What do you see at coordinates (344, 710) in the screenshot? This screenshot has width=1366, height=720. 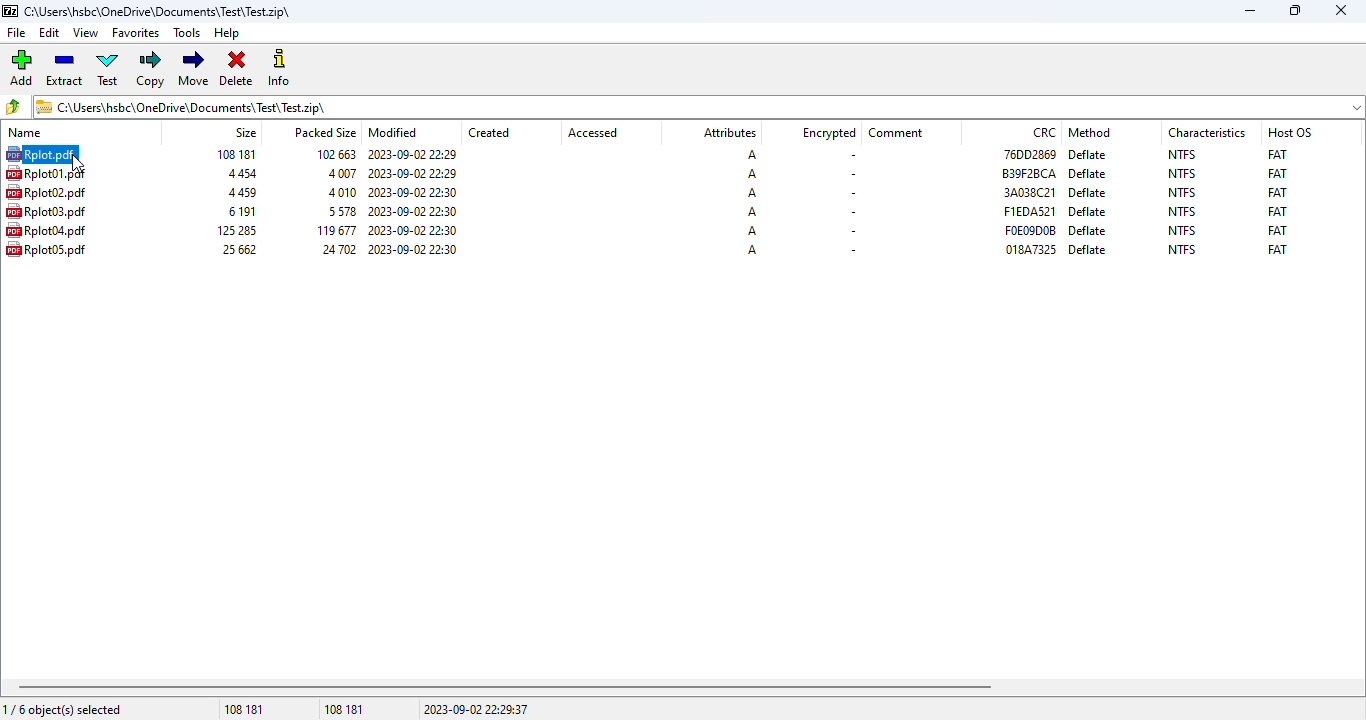 I see `108 181` at bounding box center [344, 710].